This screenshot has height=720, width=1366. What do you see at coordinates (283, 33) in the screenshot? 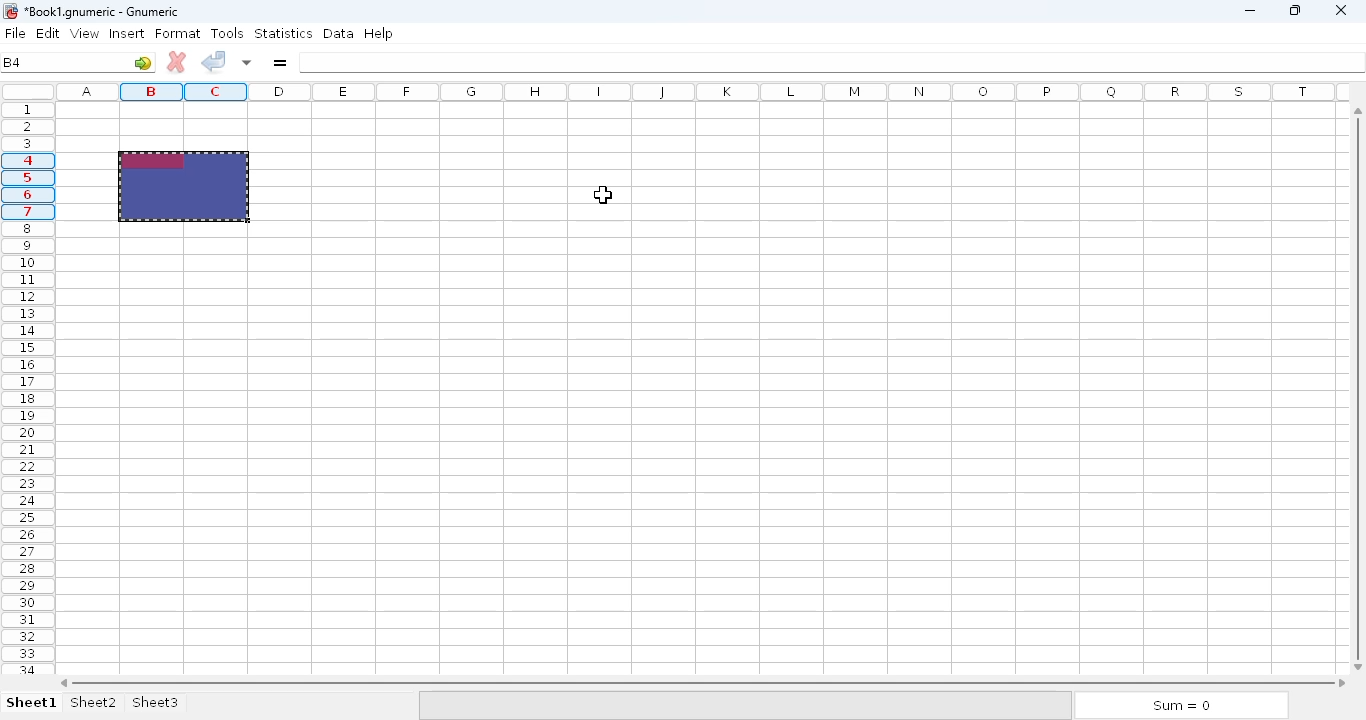
I see `statistics` at bounding box center [283, 33].